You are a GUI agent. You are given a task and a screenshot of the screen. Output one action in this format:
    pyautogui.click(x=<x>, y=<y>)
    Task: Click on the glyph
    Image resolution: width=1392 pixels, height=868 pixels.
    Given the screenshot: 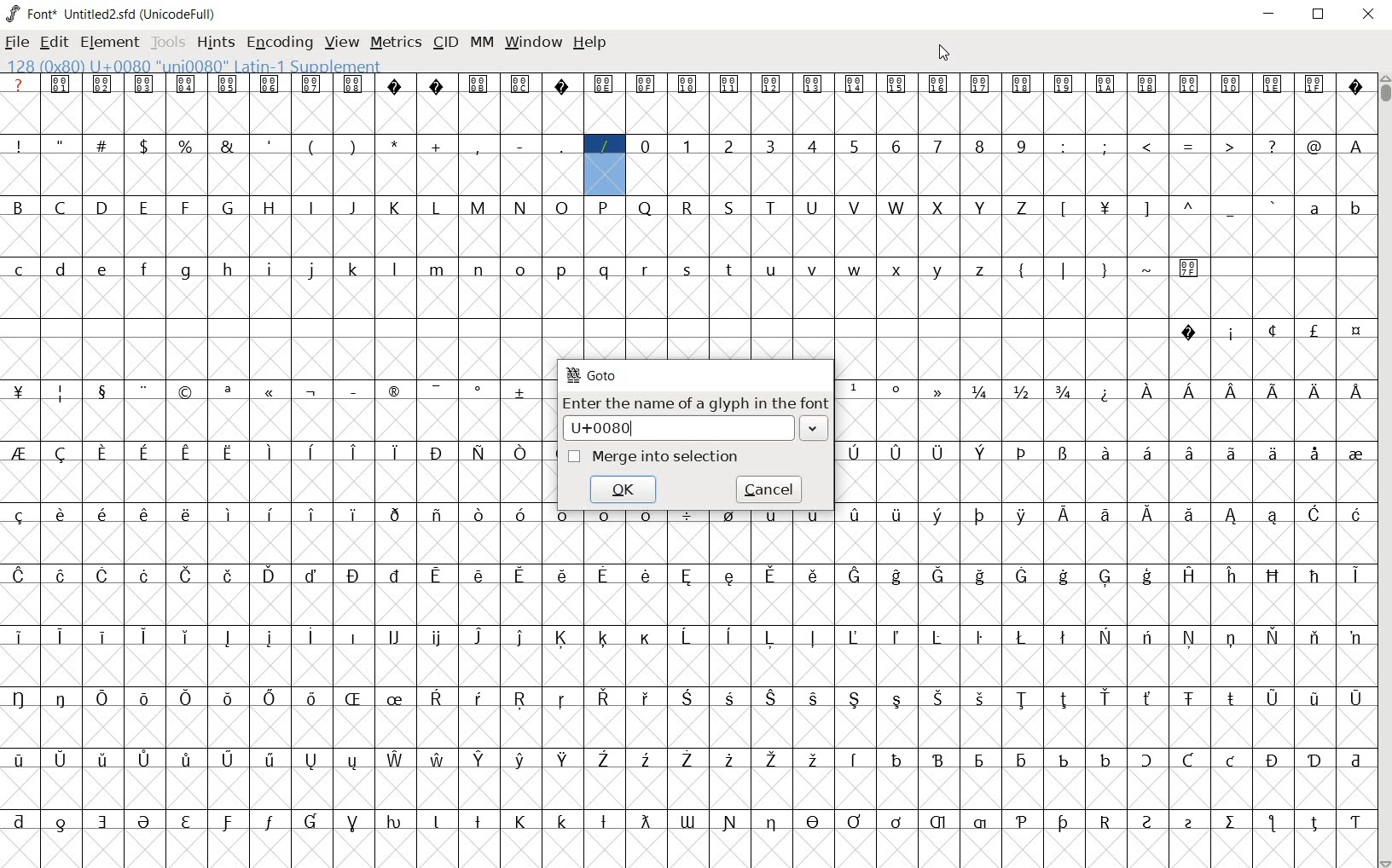 What is the action you would take?
    pyautogui.click(x=896, y=637)
    